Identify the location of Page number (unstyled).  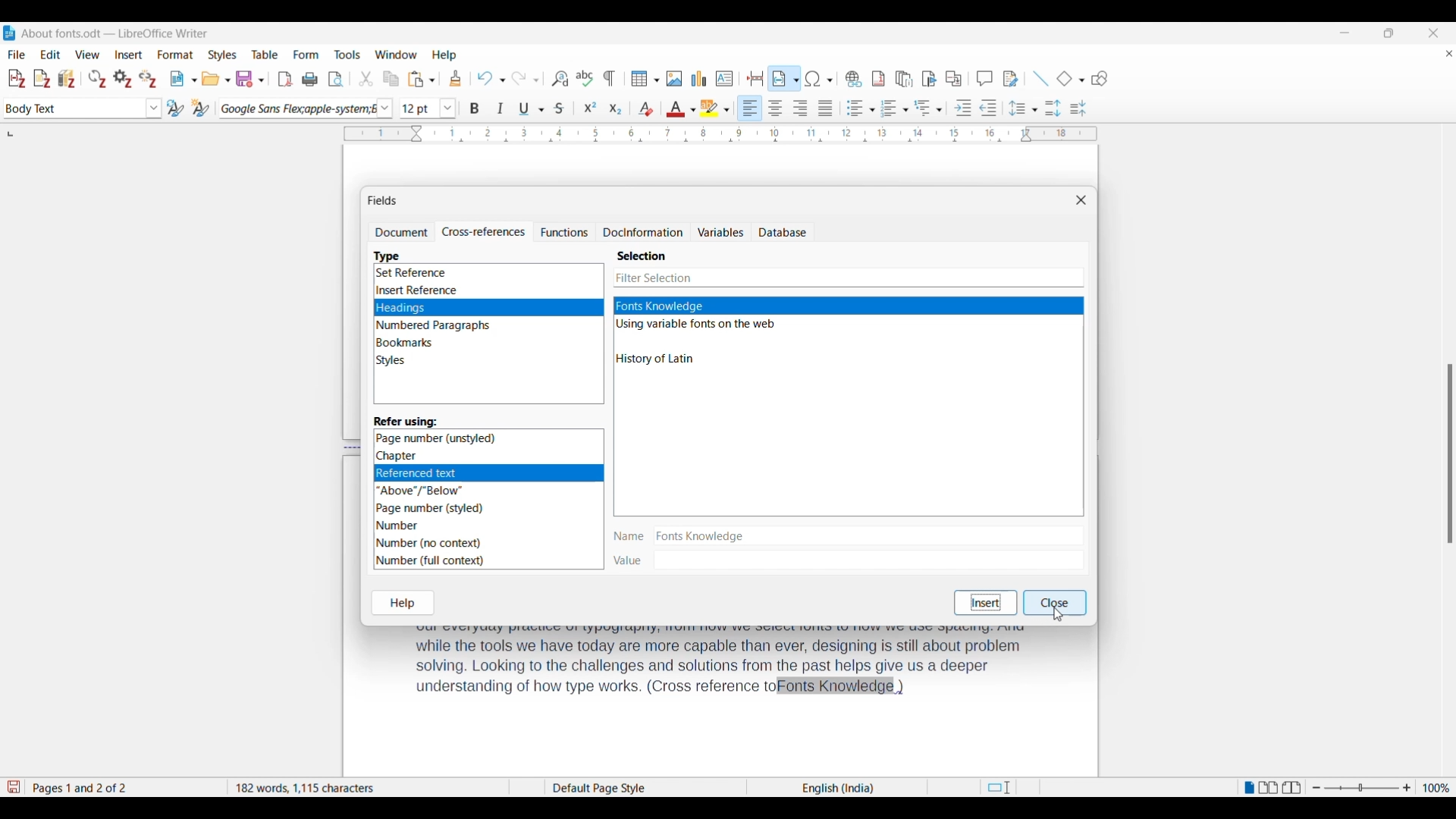
(438, 438).